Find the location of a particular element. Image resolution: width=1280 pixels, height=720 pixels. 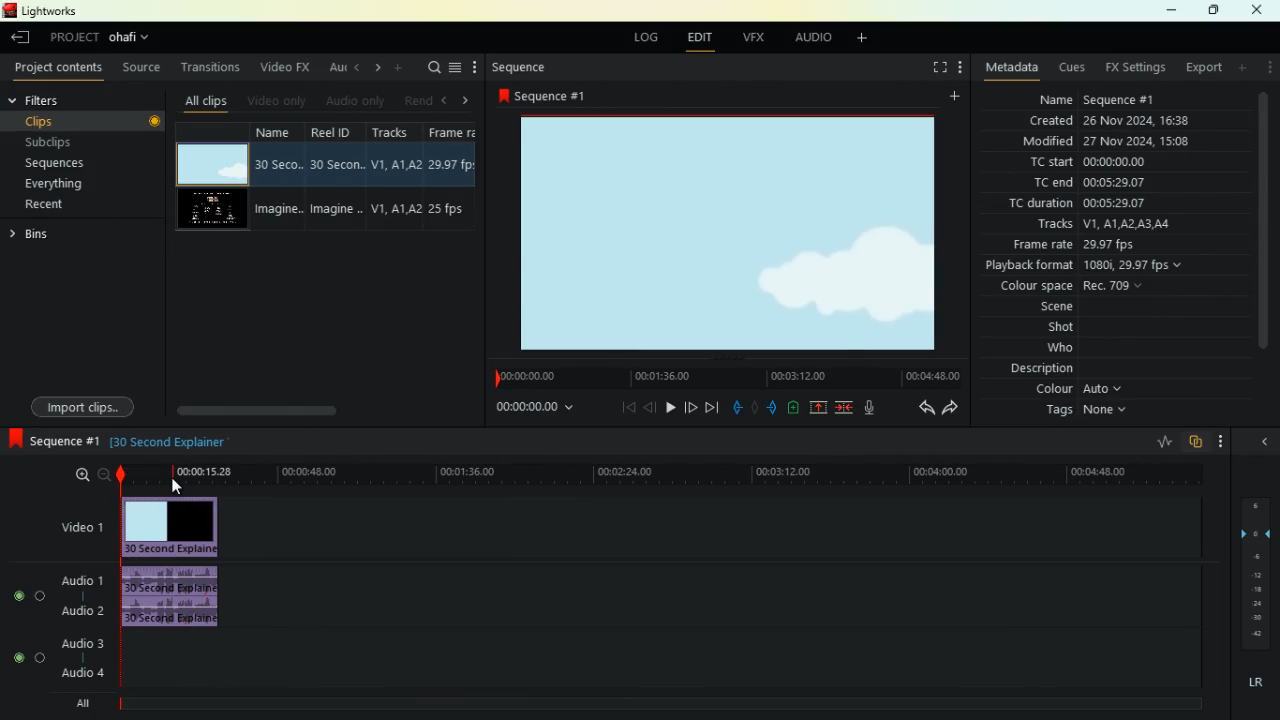

right is located at coordinates (468, 102).